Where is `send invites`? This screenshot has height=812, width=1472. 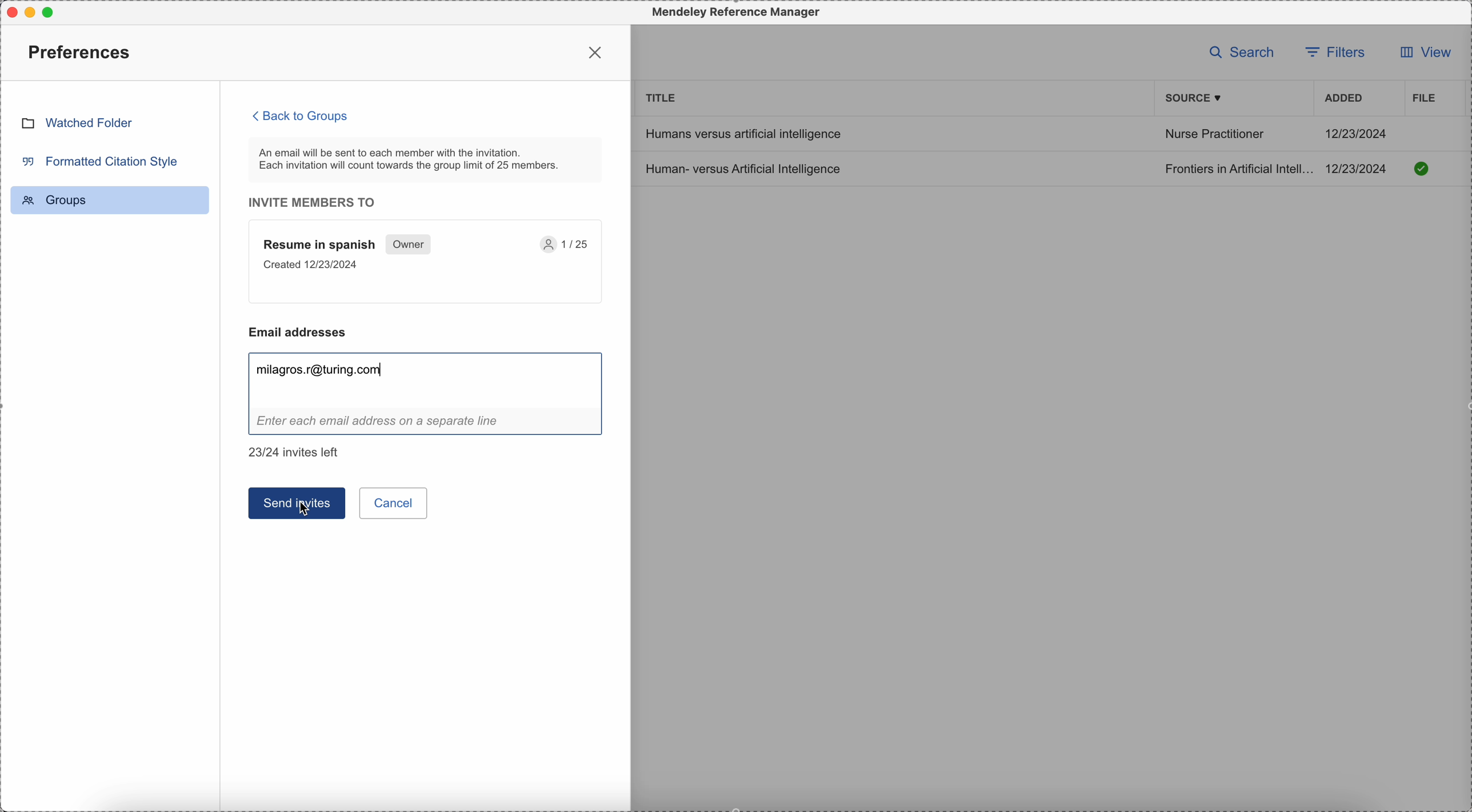
send invites is located at coordinates (297, 503).